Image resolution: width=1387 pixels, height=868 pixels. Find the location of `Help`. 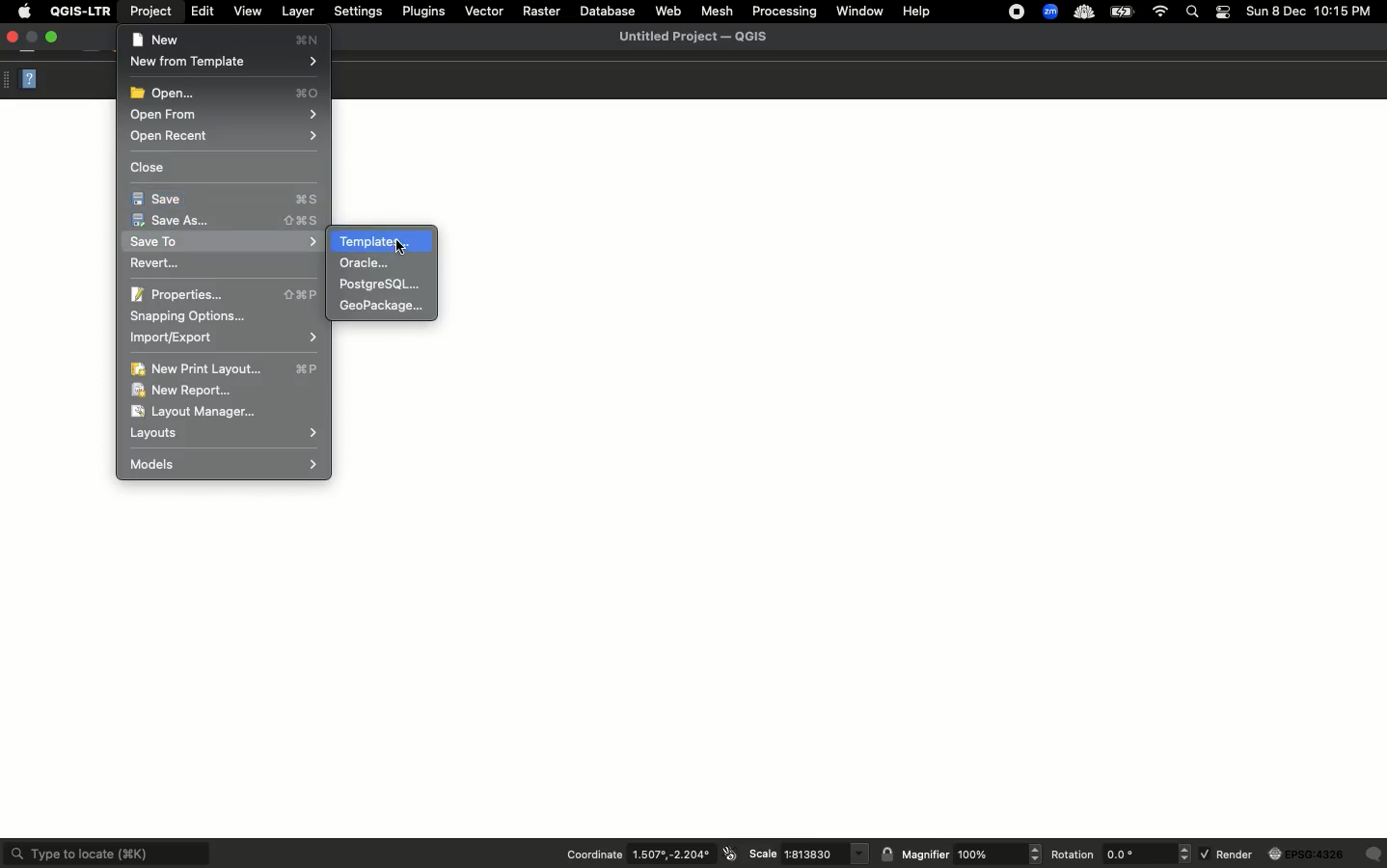

Help is located at coordinates (920, 10).